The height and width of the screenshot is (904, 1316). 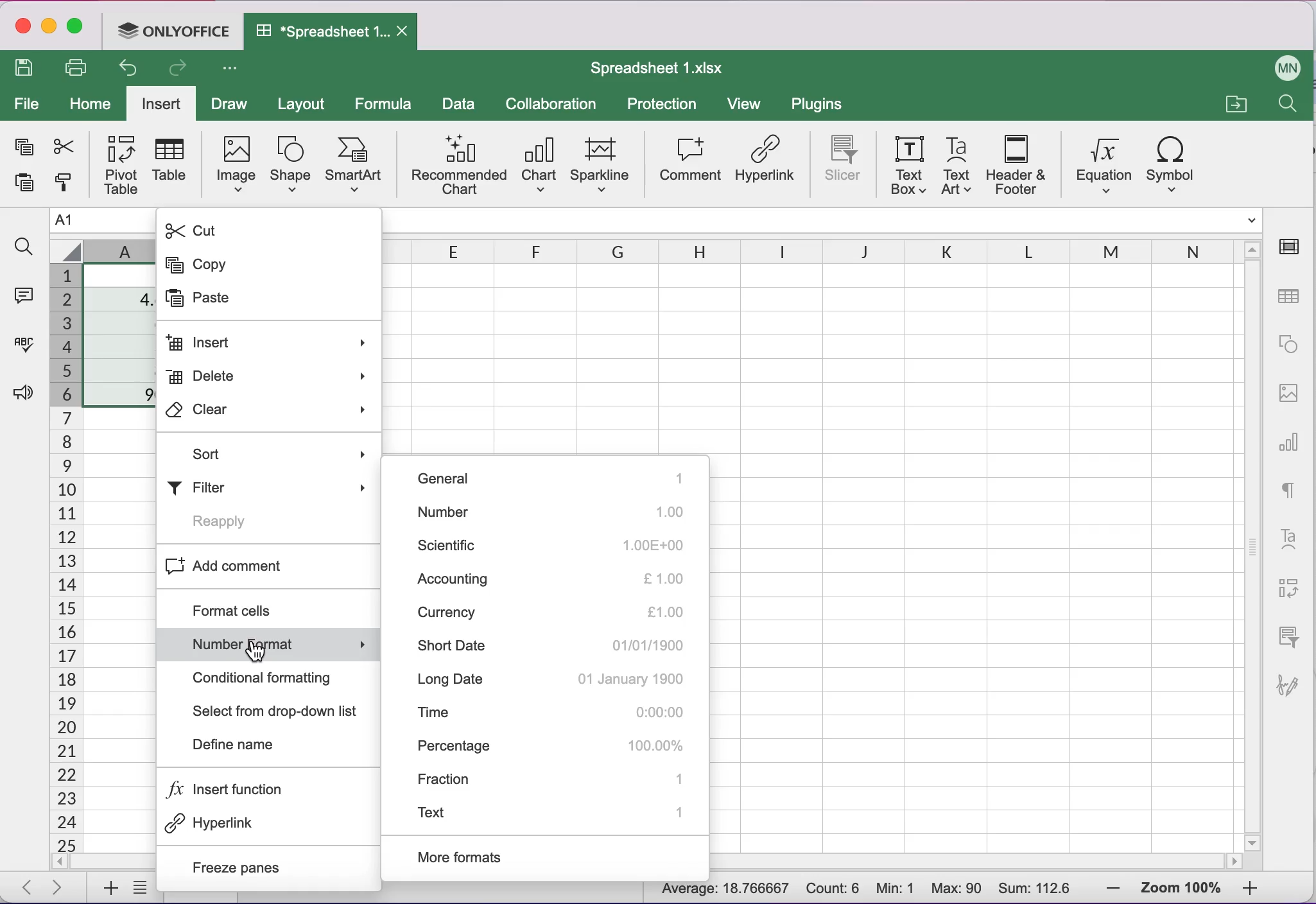 I want to click on find, so click(x=1282, y=104).